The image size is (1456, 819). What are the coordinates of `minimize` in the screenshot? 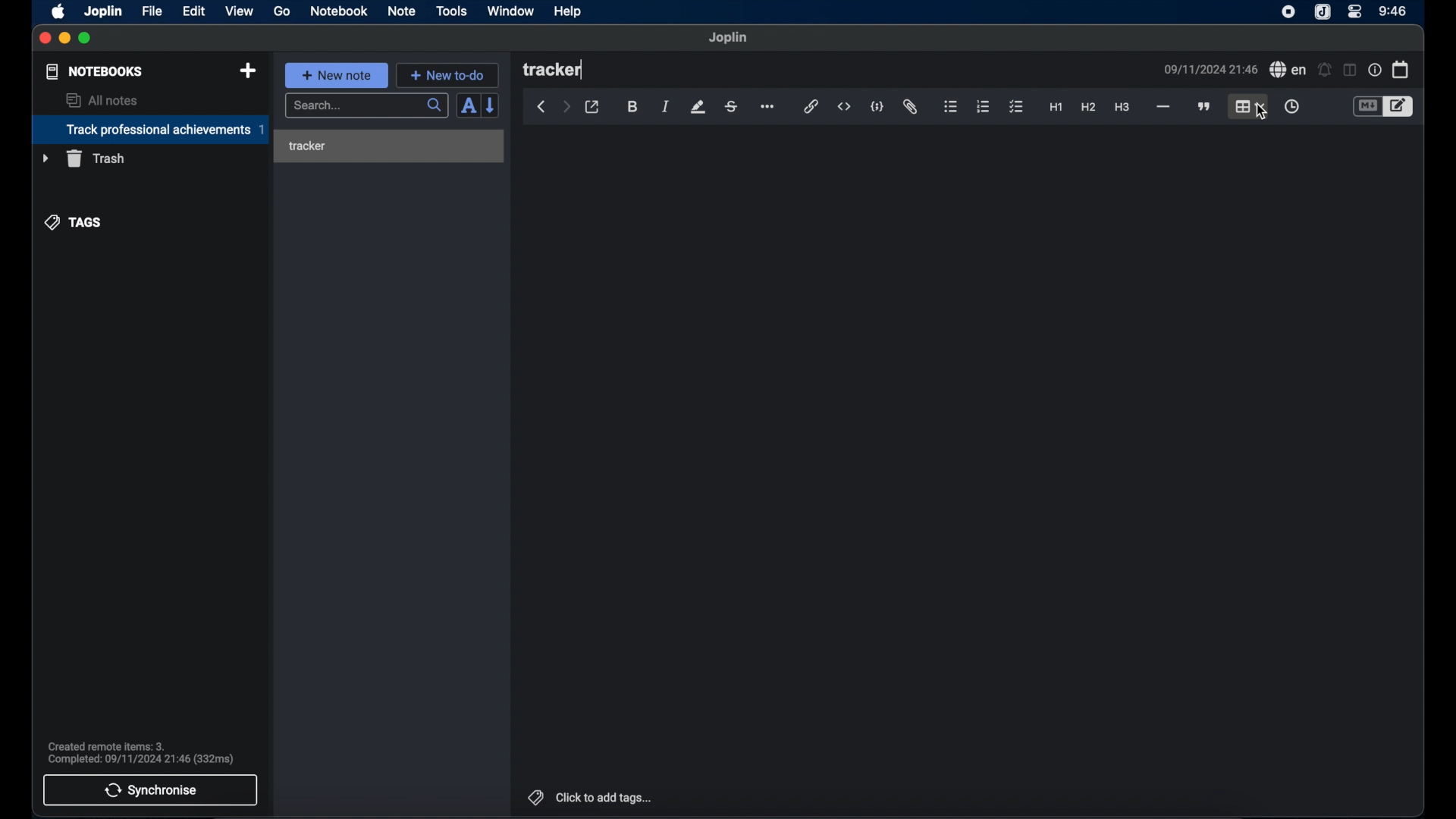 It's located at (65, 39).